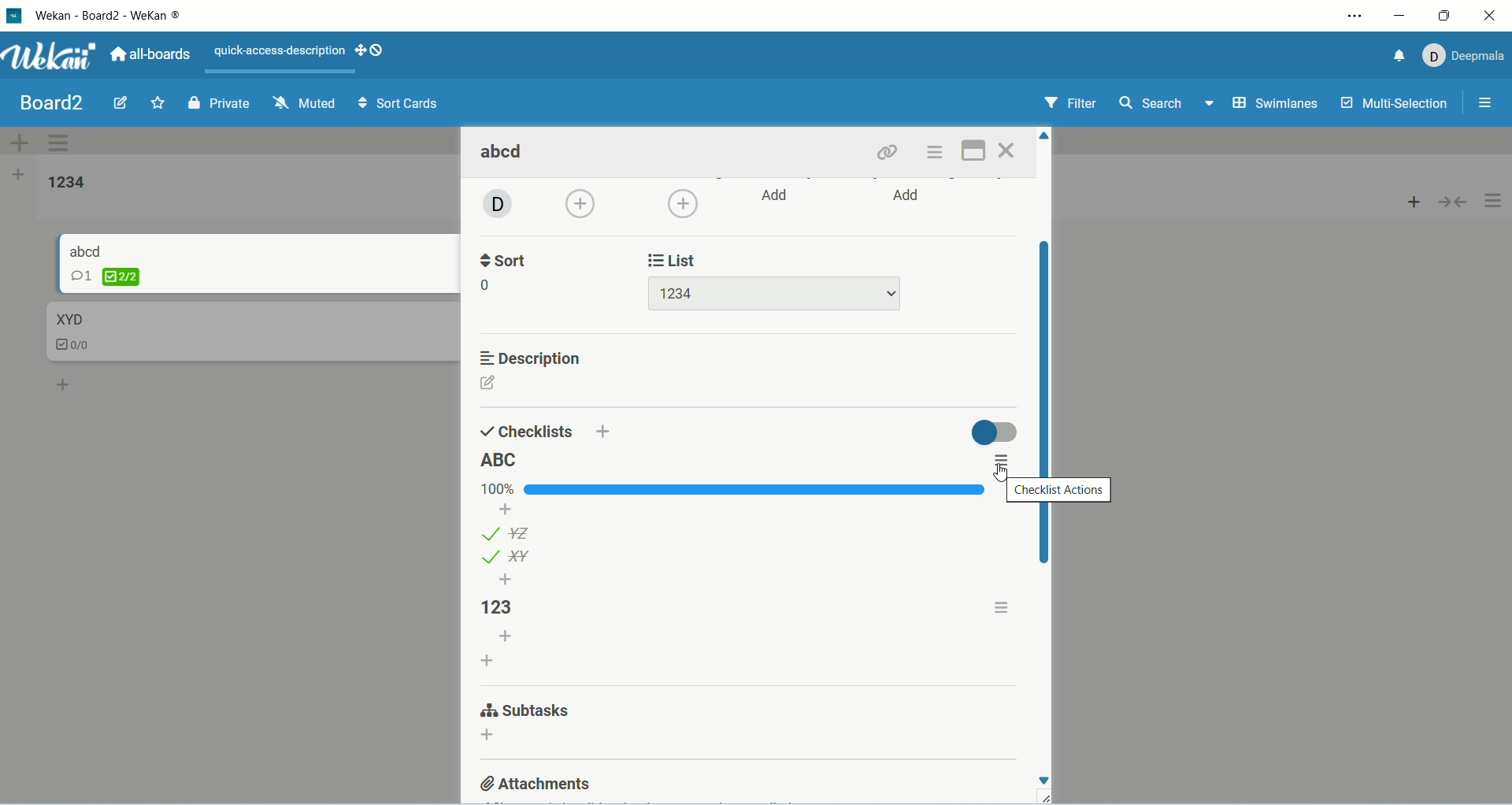  I want to click on add checcklist, so click(489, 659).